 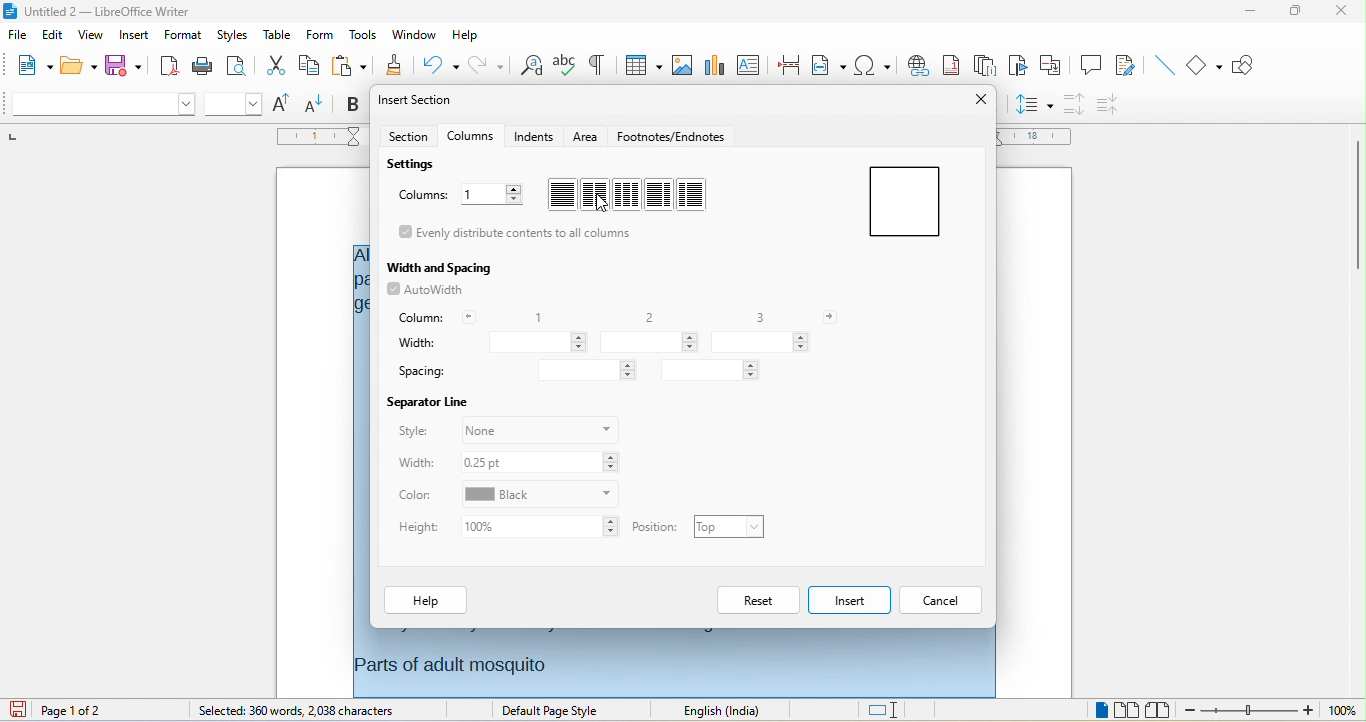 What do you see at coordinates (182, 35) in the screenshot?
I see `format` at bounding box center [182, 35].